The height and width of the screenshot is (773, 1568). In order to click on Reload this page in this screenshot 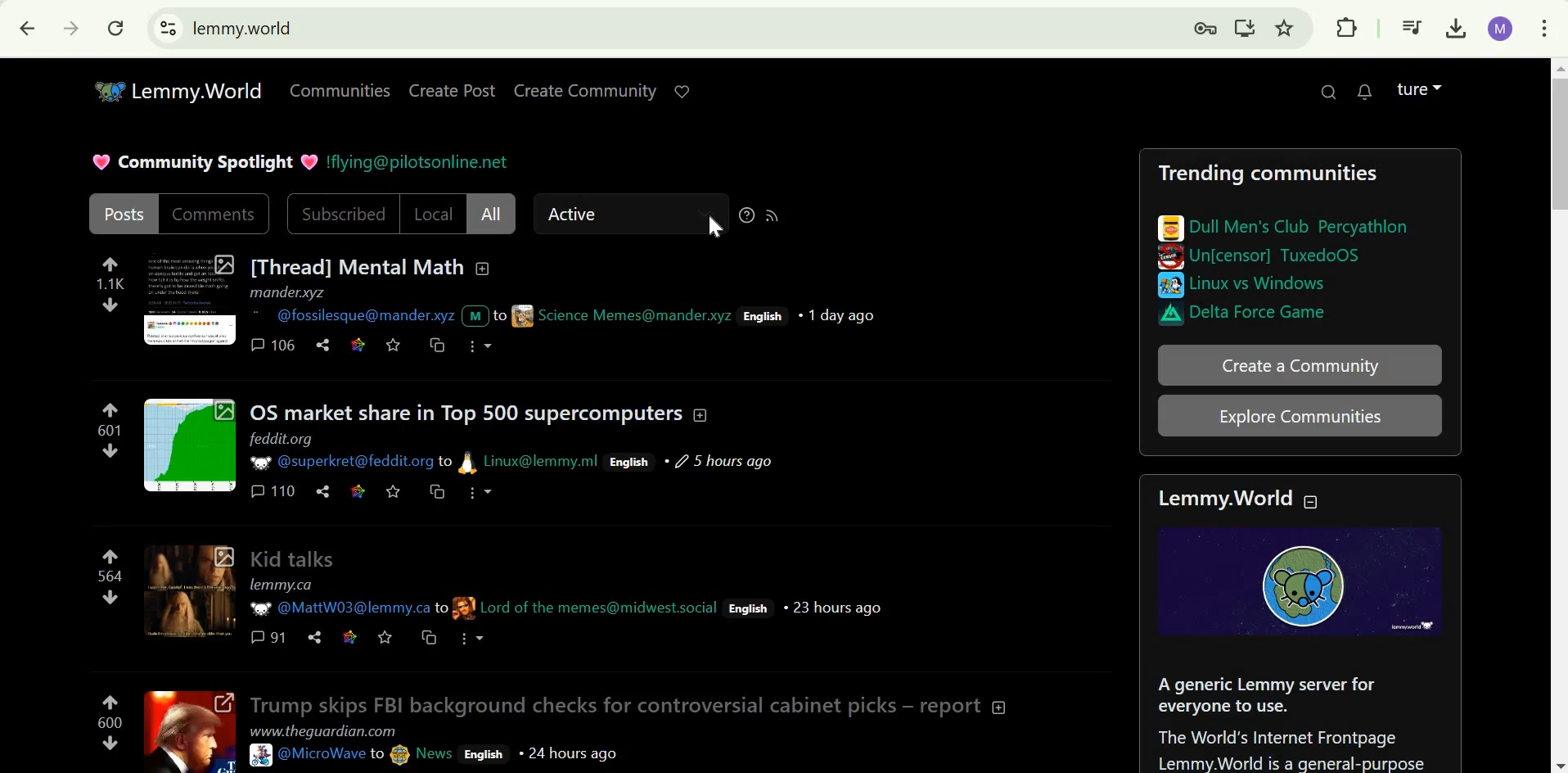, I will do `click(115, 27)`.